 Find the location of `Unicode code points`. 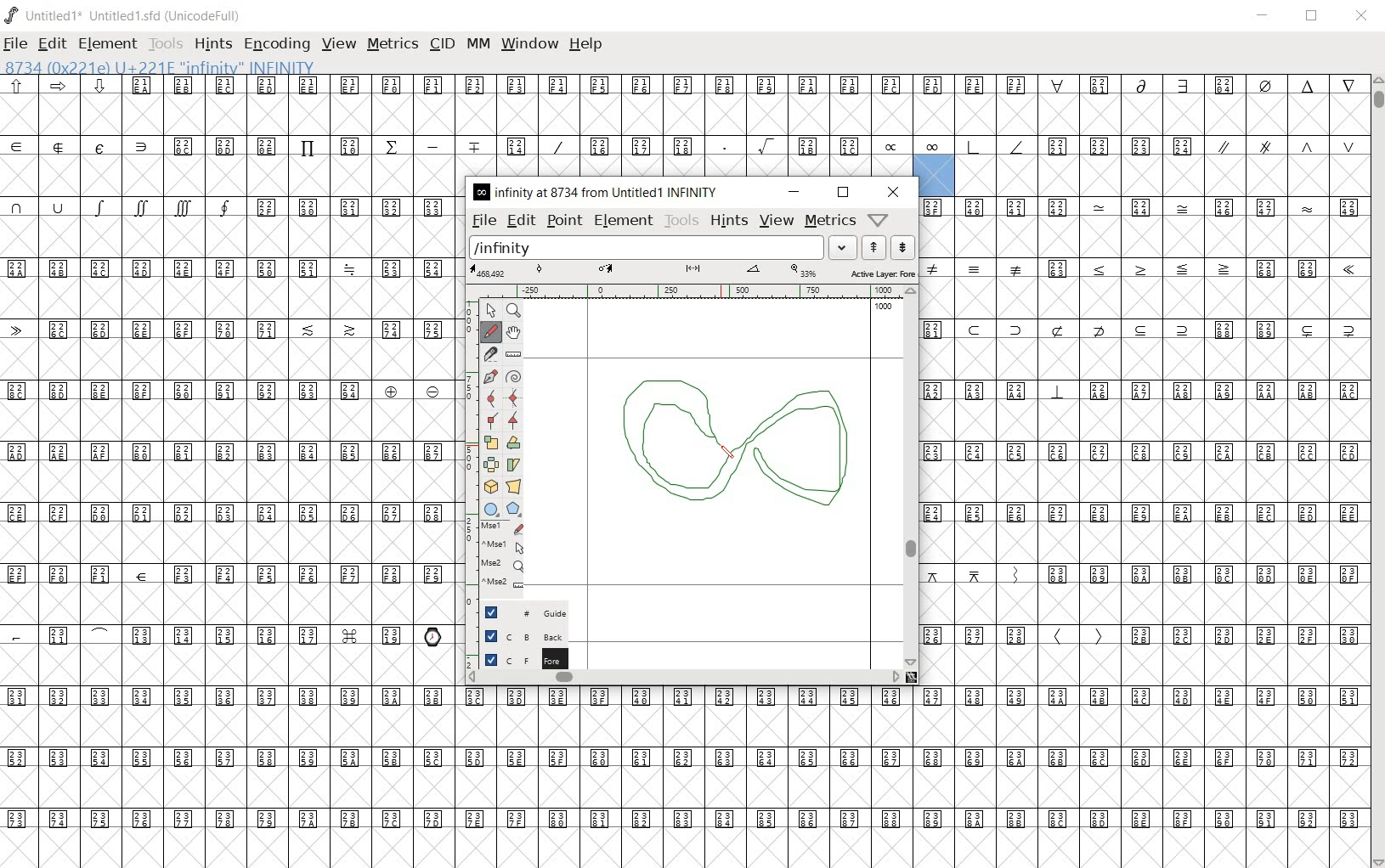

Unicode code points is located at coordinates (1162, 328).